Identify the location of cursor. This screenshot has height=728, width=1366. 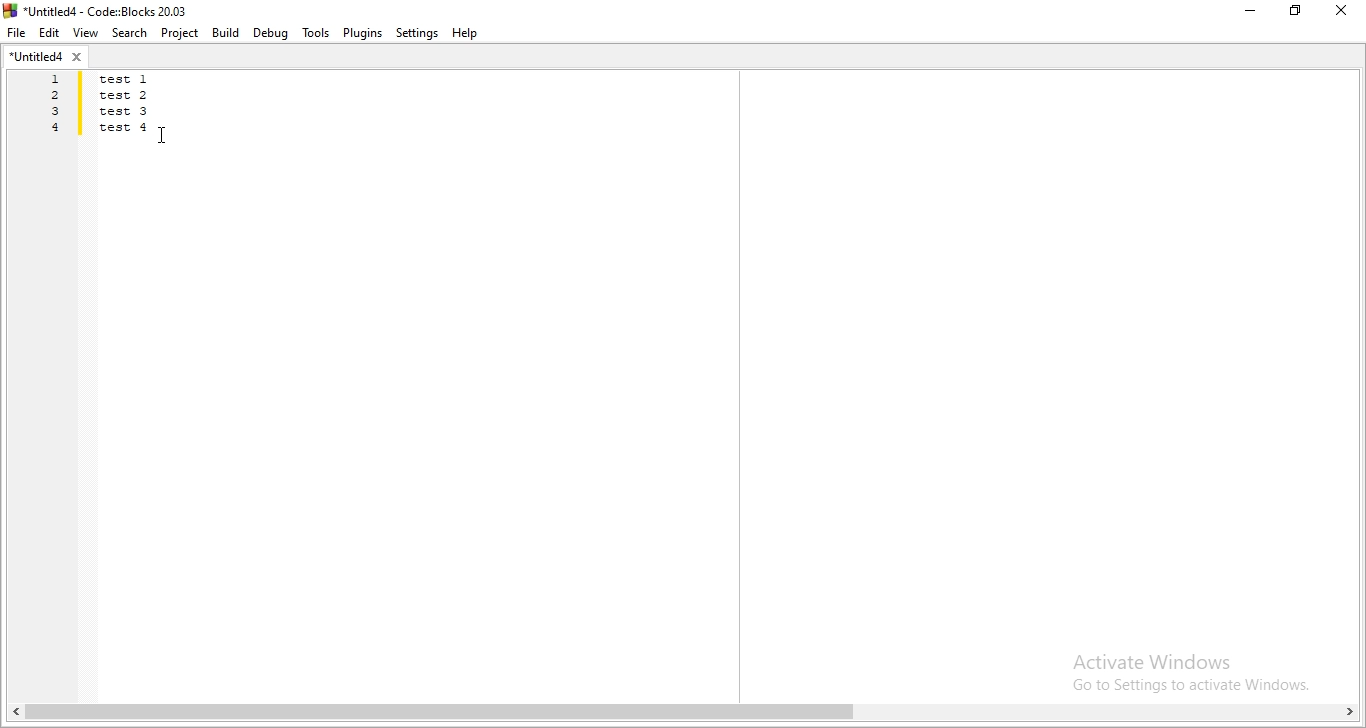
(164, 135).